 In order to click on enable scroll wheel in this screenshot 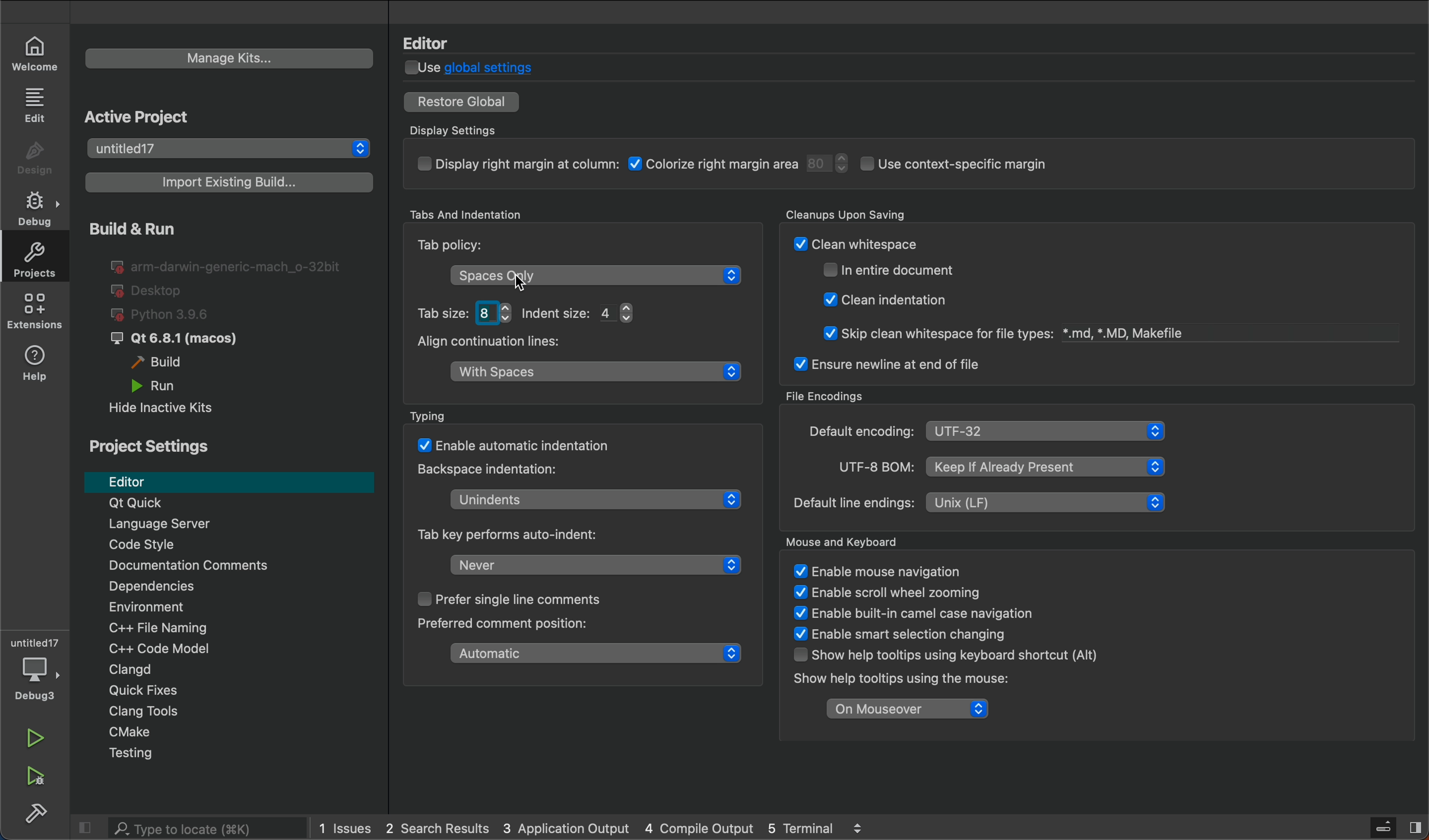, I will do `click(891, 593)`.